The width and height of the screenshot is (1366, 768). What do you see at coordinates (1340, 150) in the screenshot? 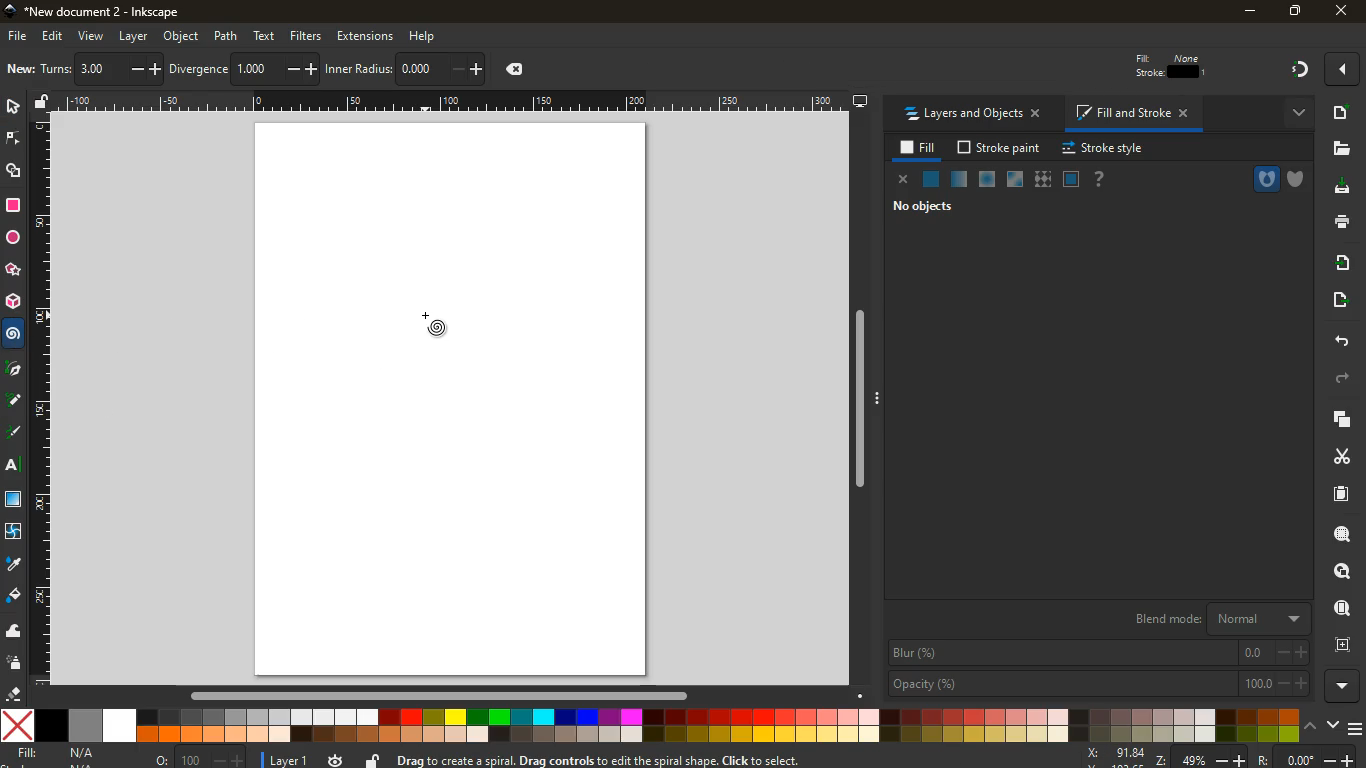
I see `file` at bounding box center [1340, 150].